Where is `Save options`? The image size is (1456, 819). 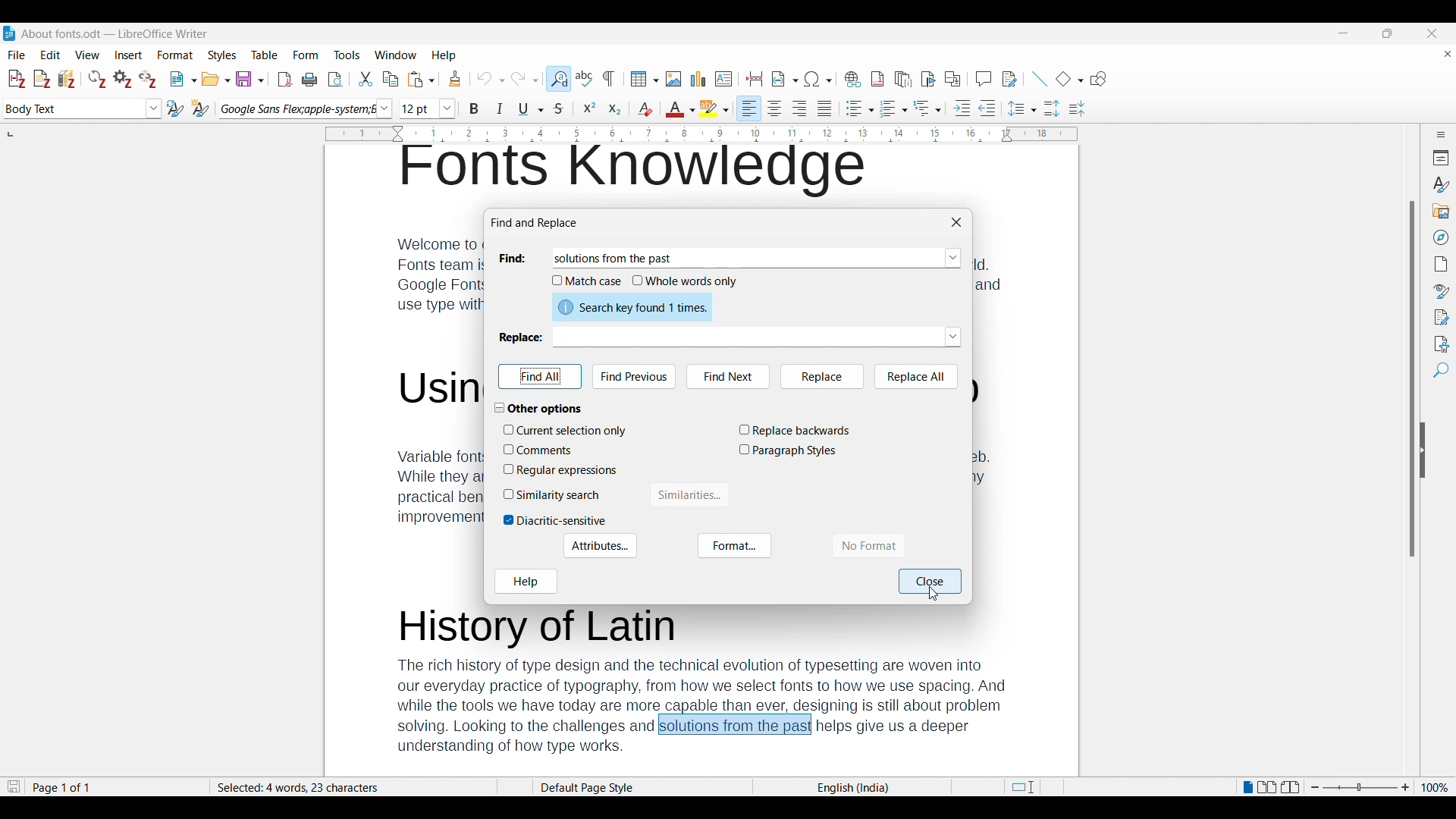
Save options is located at coordinates (250, 79).